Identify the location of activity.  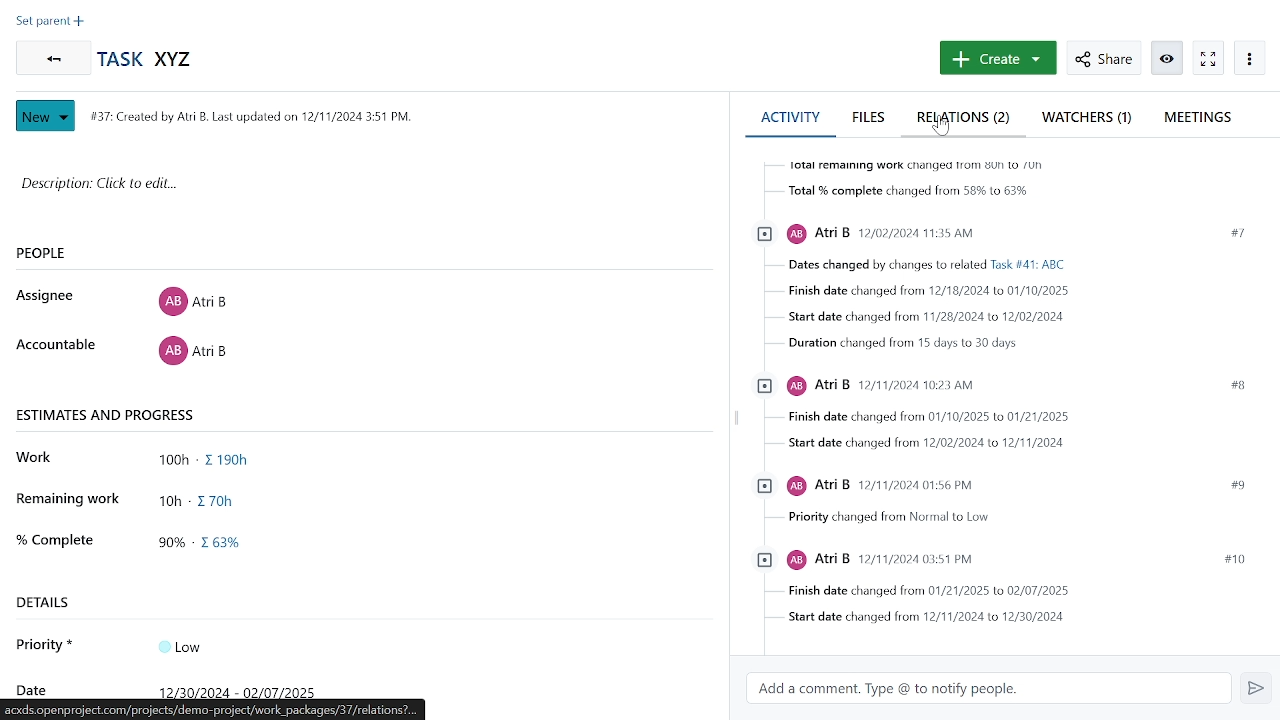
(790, 117).